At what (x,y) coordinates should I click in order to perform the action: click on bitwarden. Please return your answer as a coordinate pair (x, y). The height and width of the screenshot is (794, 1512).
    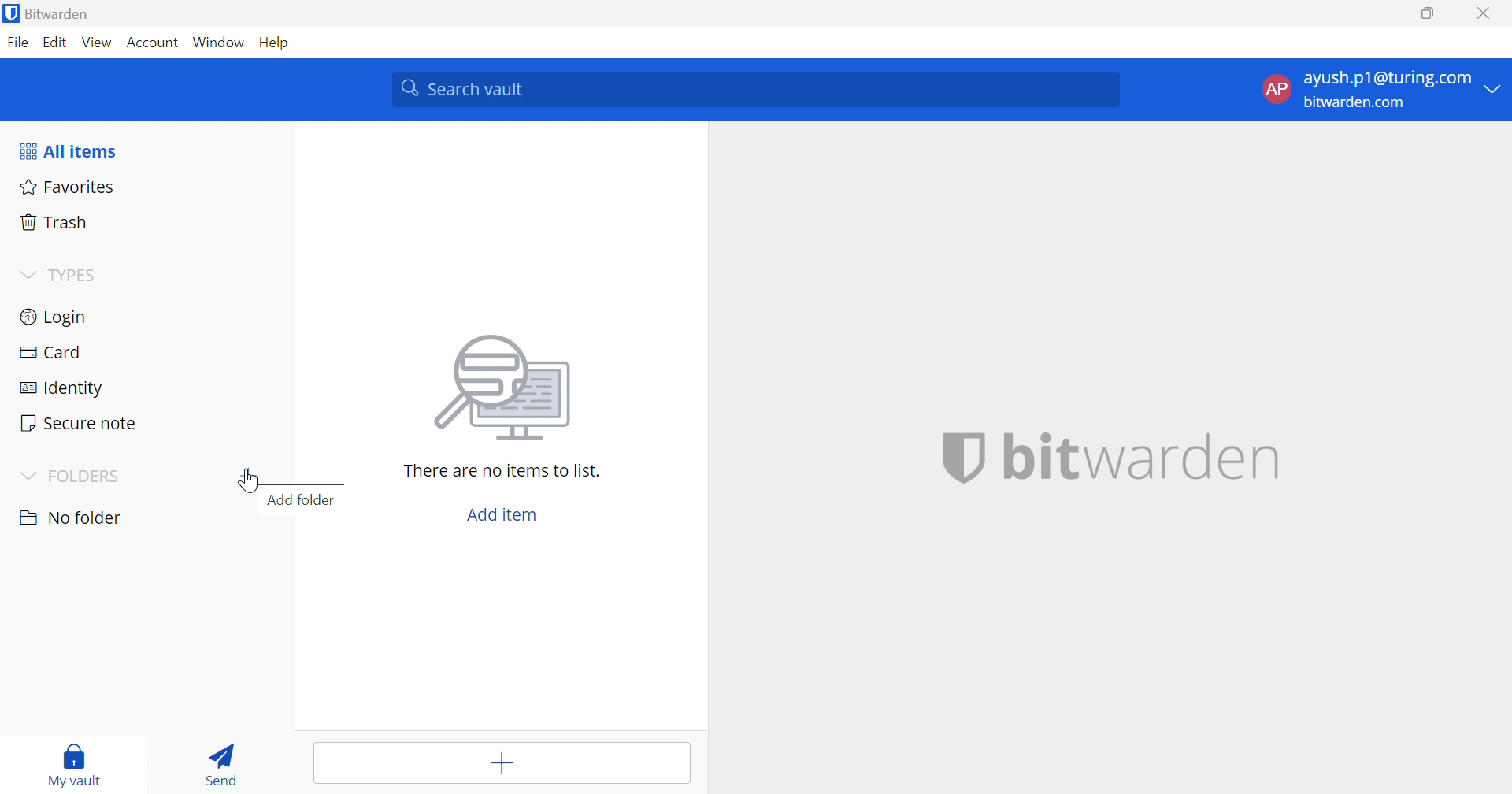
    Looking at the image, I should click on (1144, 458).